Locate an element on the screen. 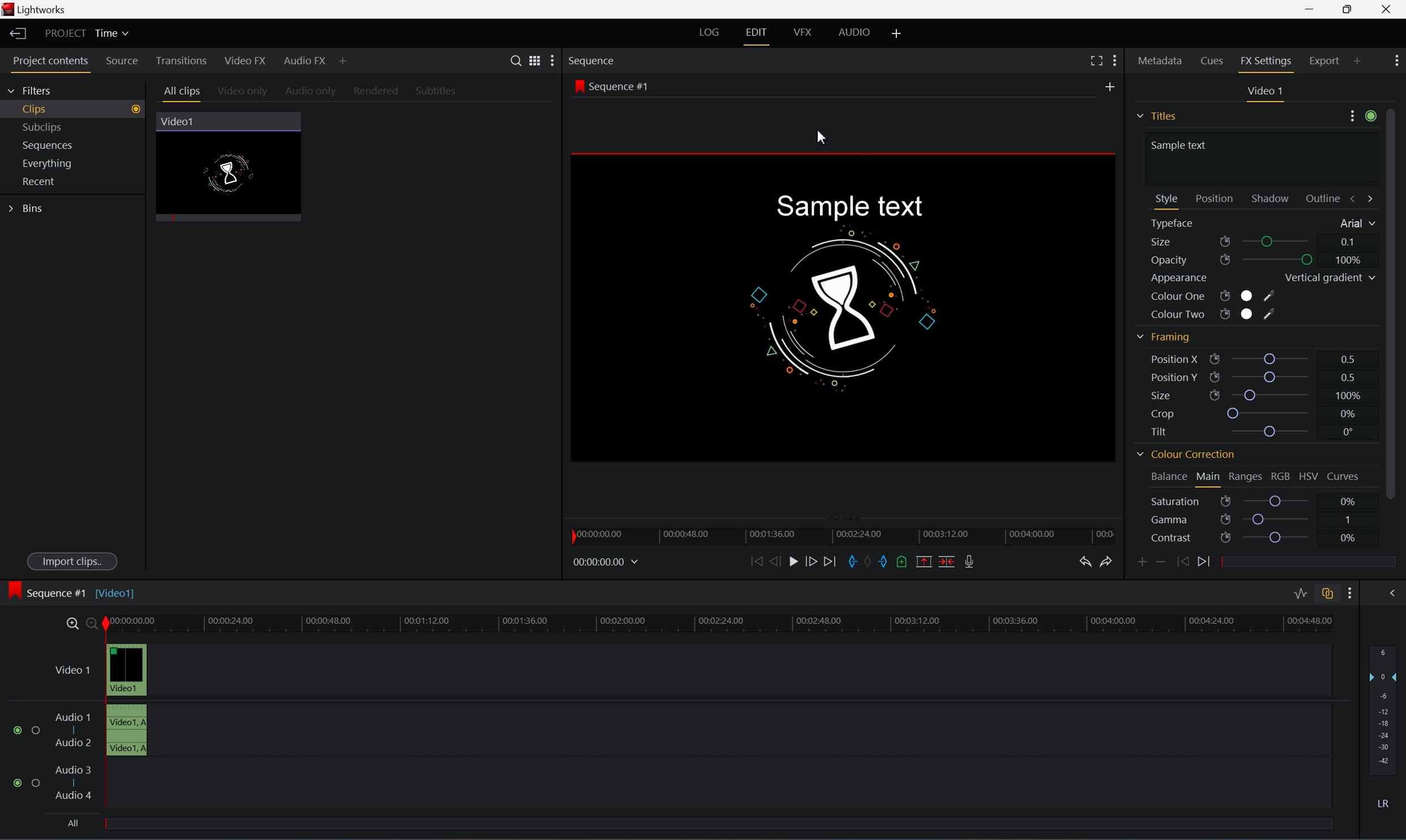  move one frame back is located at coordinates (775, 561).